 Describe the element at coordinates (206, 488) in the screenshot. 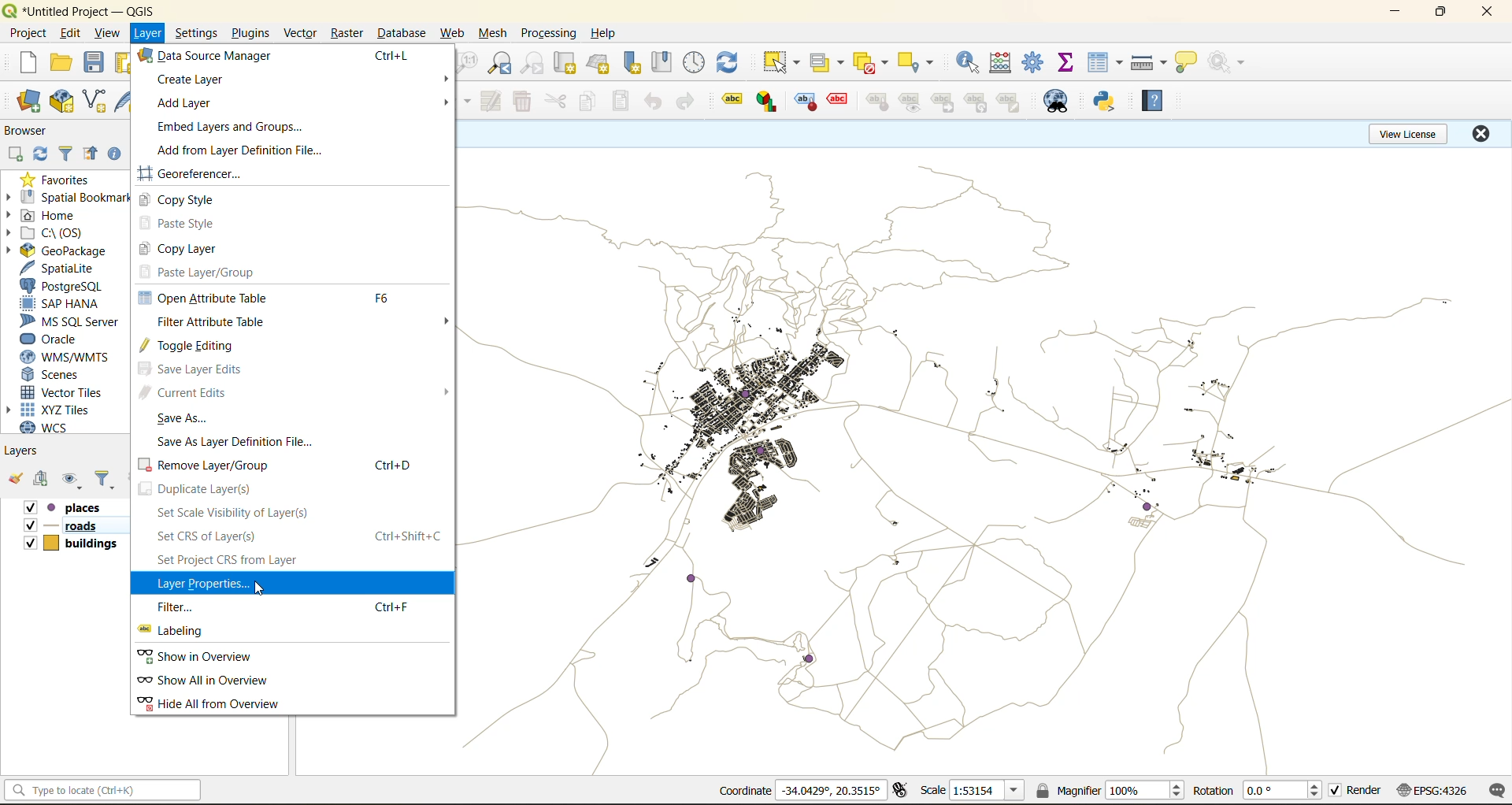

I see `duplicate` at that location.